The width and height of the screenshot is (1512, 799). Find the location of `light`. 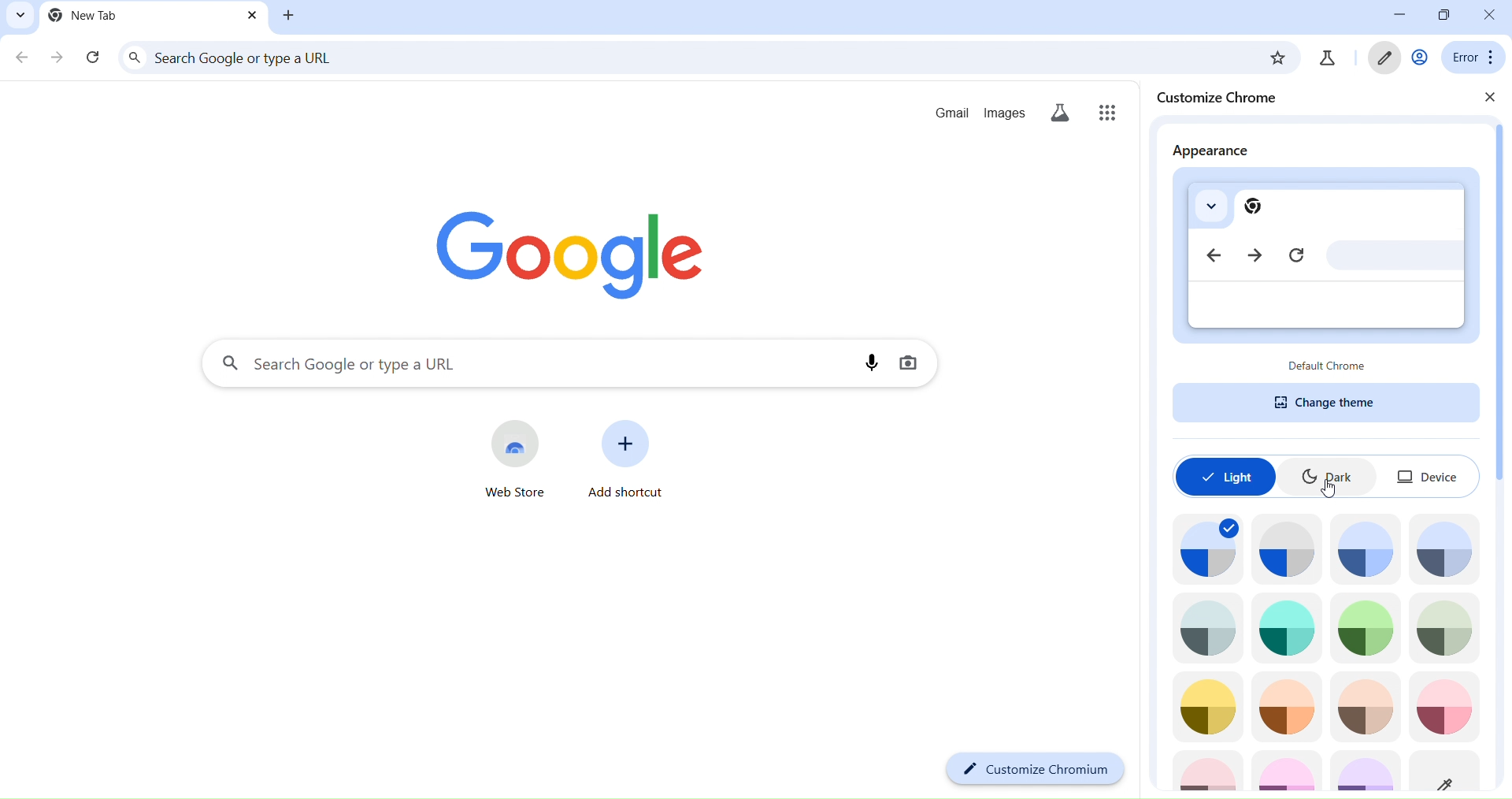

light is located at coordinates (1225, 477).